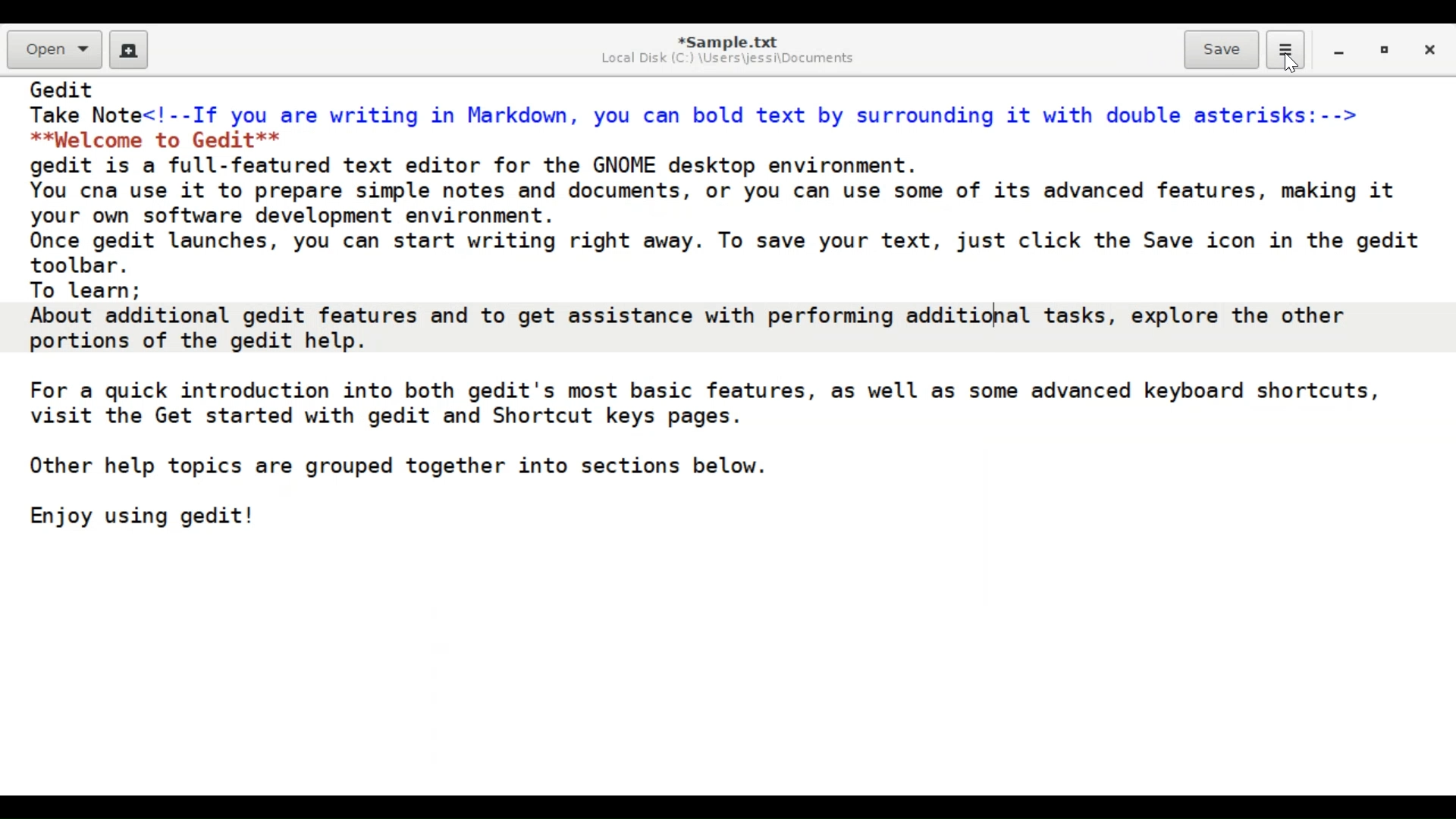  What do you see at coordinates (129, 50) in the screenshot?
I see `Create a new document` at bounding box center [129, 50].